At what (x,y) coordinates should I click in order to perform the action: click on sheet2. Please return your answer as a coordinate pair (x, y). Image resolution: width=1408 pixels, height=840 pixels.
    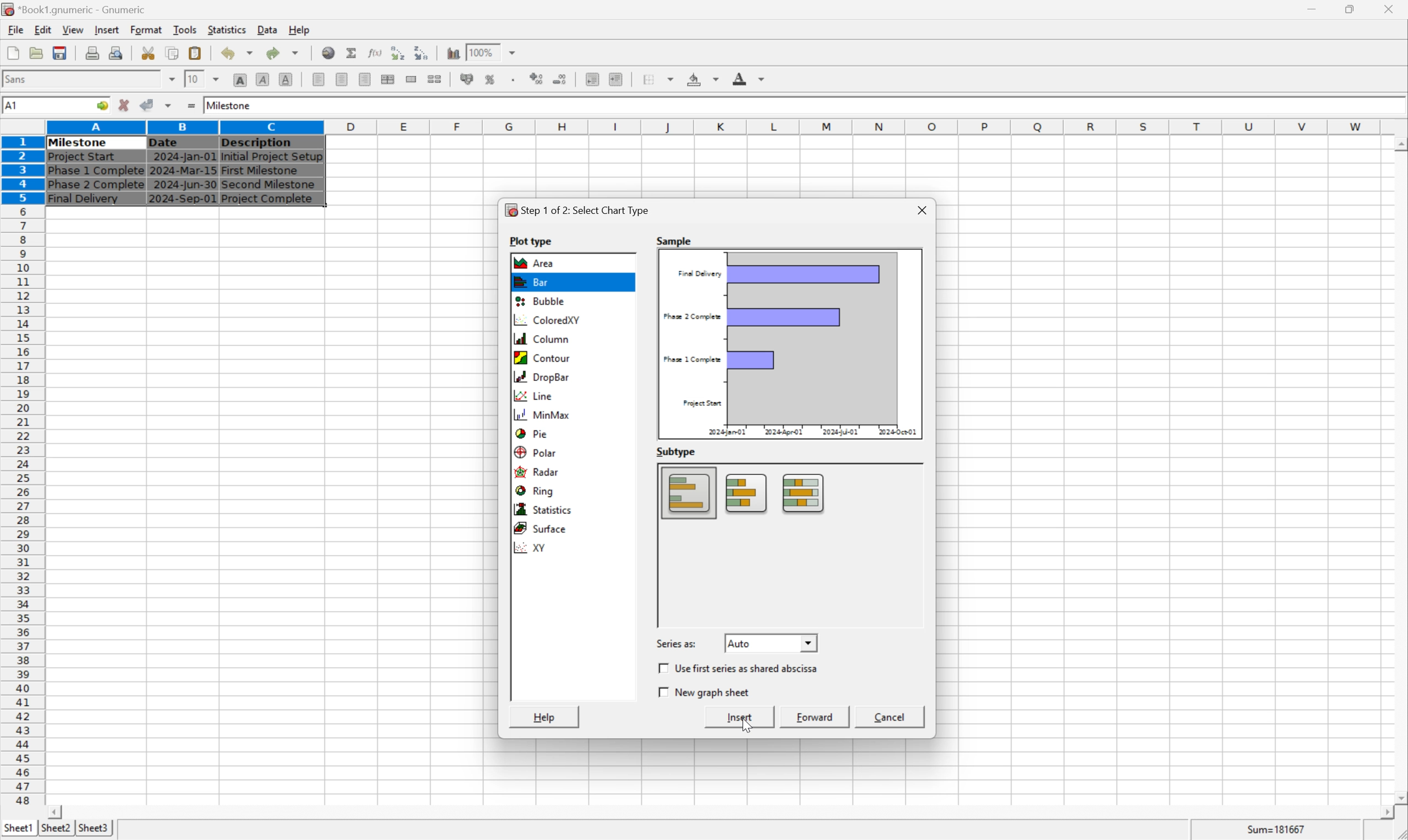
    Looking at the image, I should click on (53, 830).